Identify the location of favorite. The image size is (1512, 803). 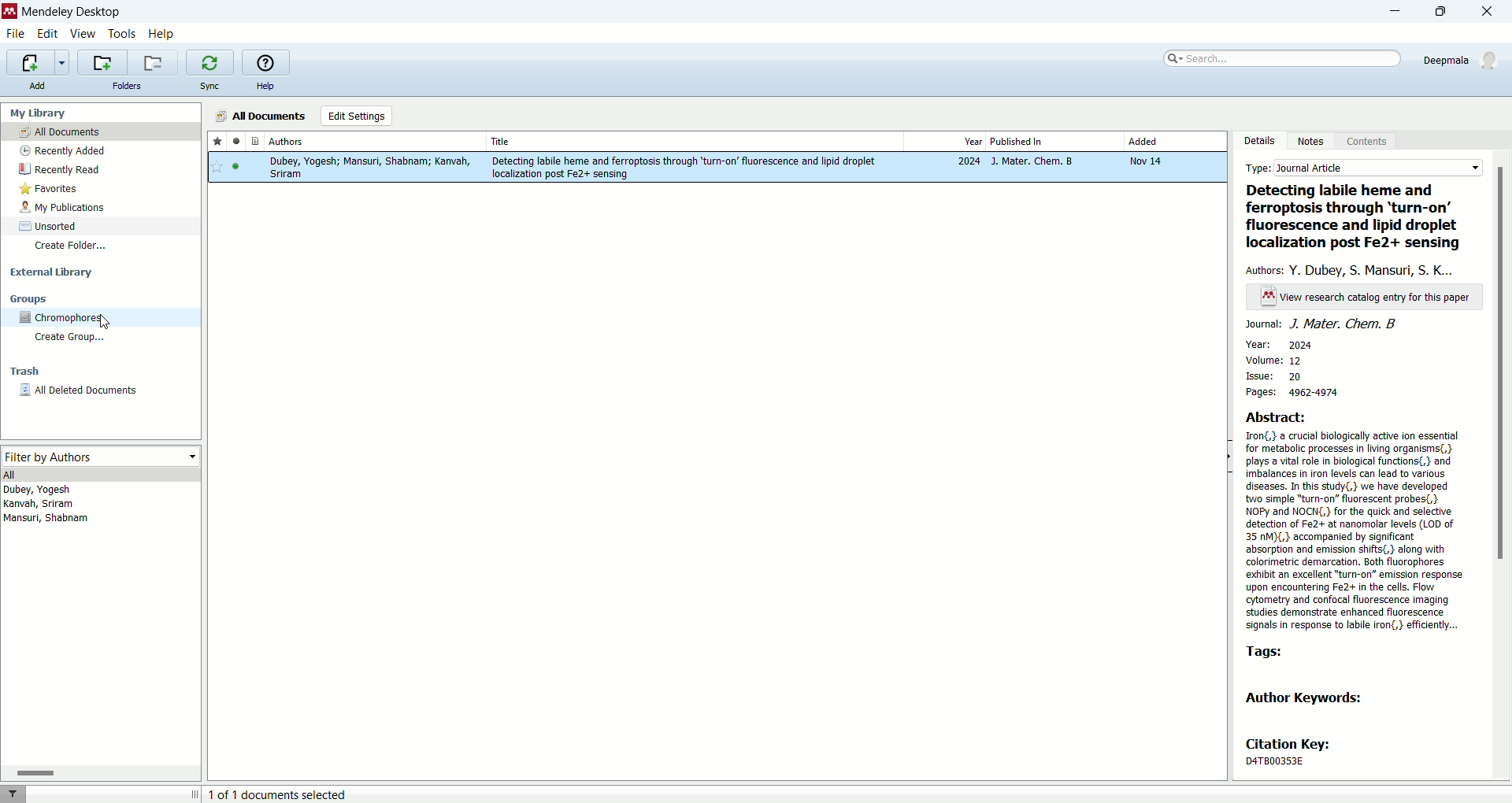
(217, 142).